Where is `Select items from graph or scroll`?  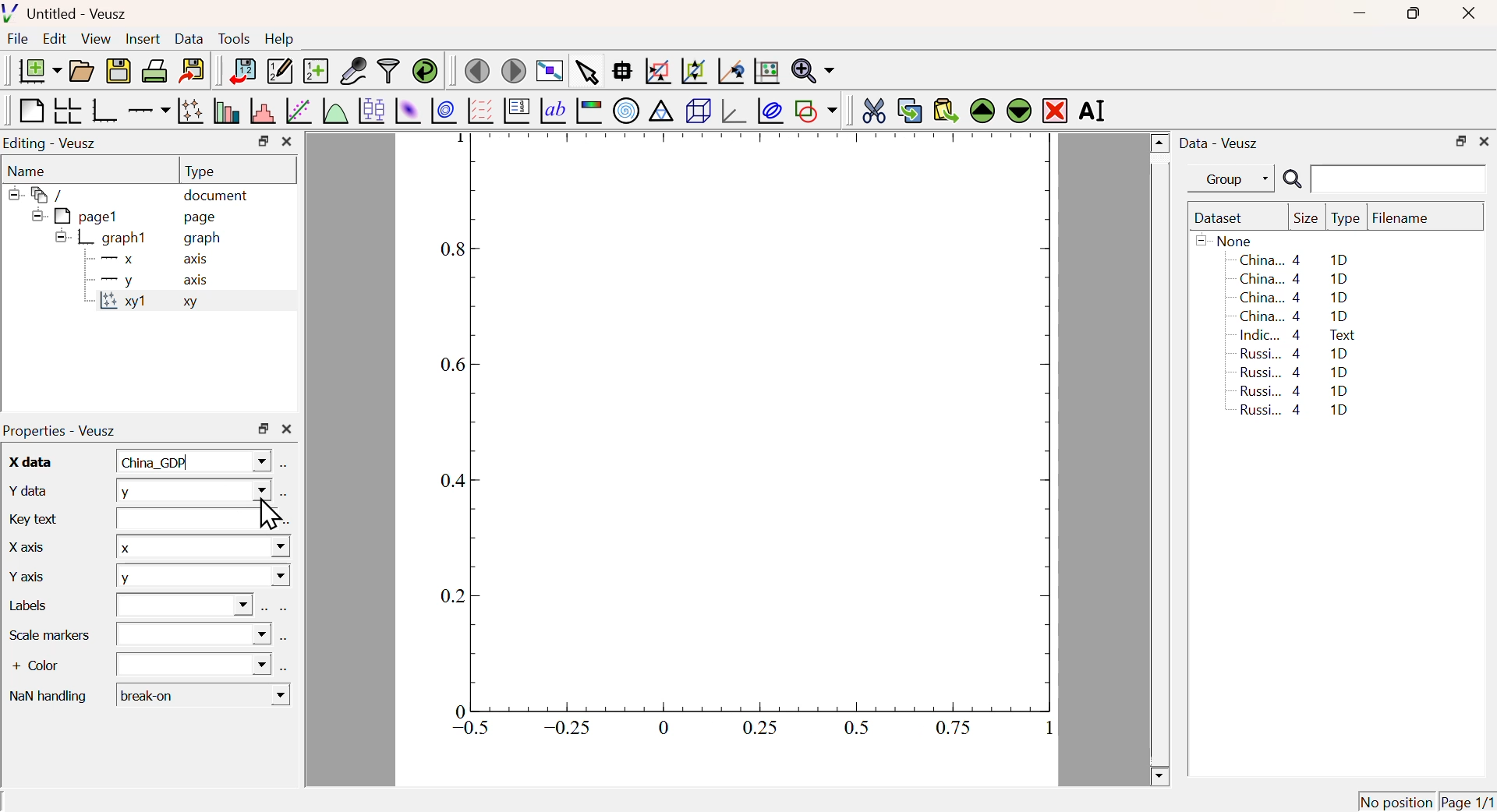 Select items from graph or scroll is located at coordinates (586, 75).